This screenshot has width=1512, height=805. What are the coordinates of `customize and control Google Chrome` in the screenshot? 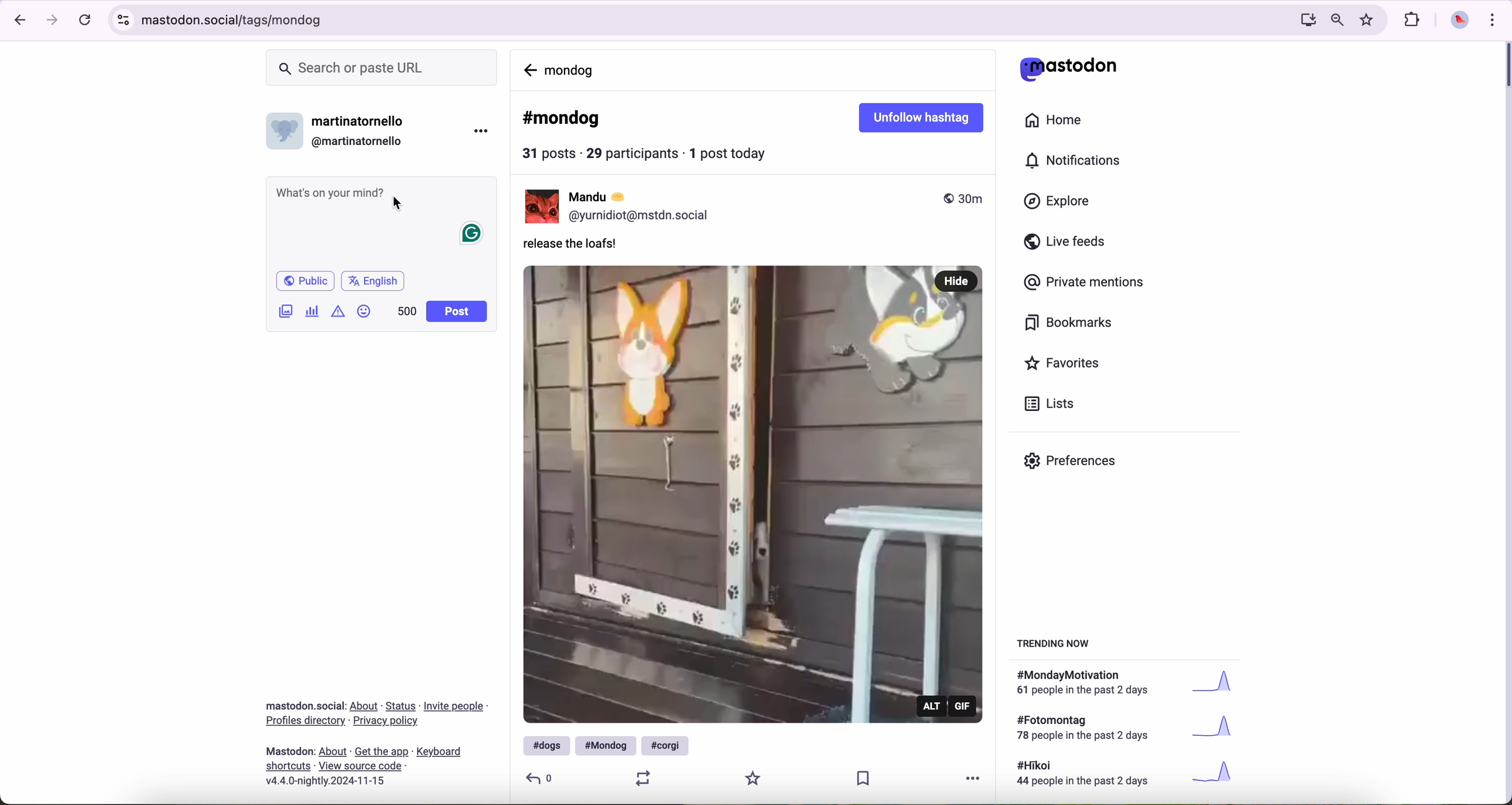 It's located at (1496, 20).